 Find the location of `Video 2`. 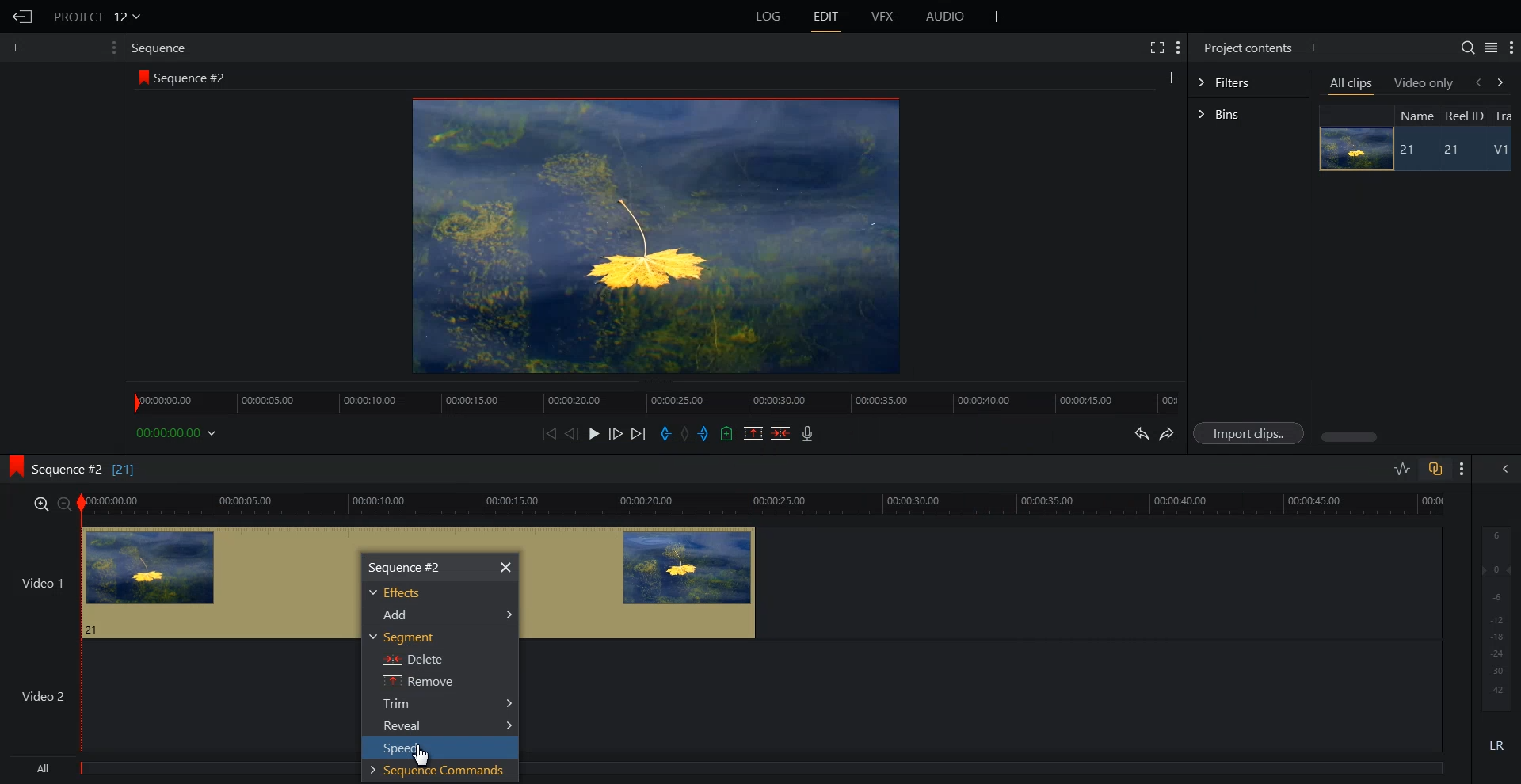

Video 2 is located at coordinates (177, 696).